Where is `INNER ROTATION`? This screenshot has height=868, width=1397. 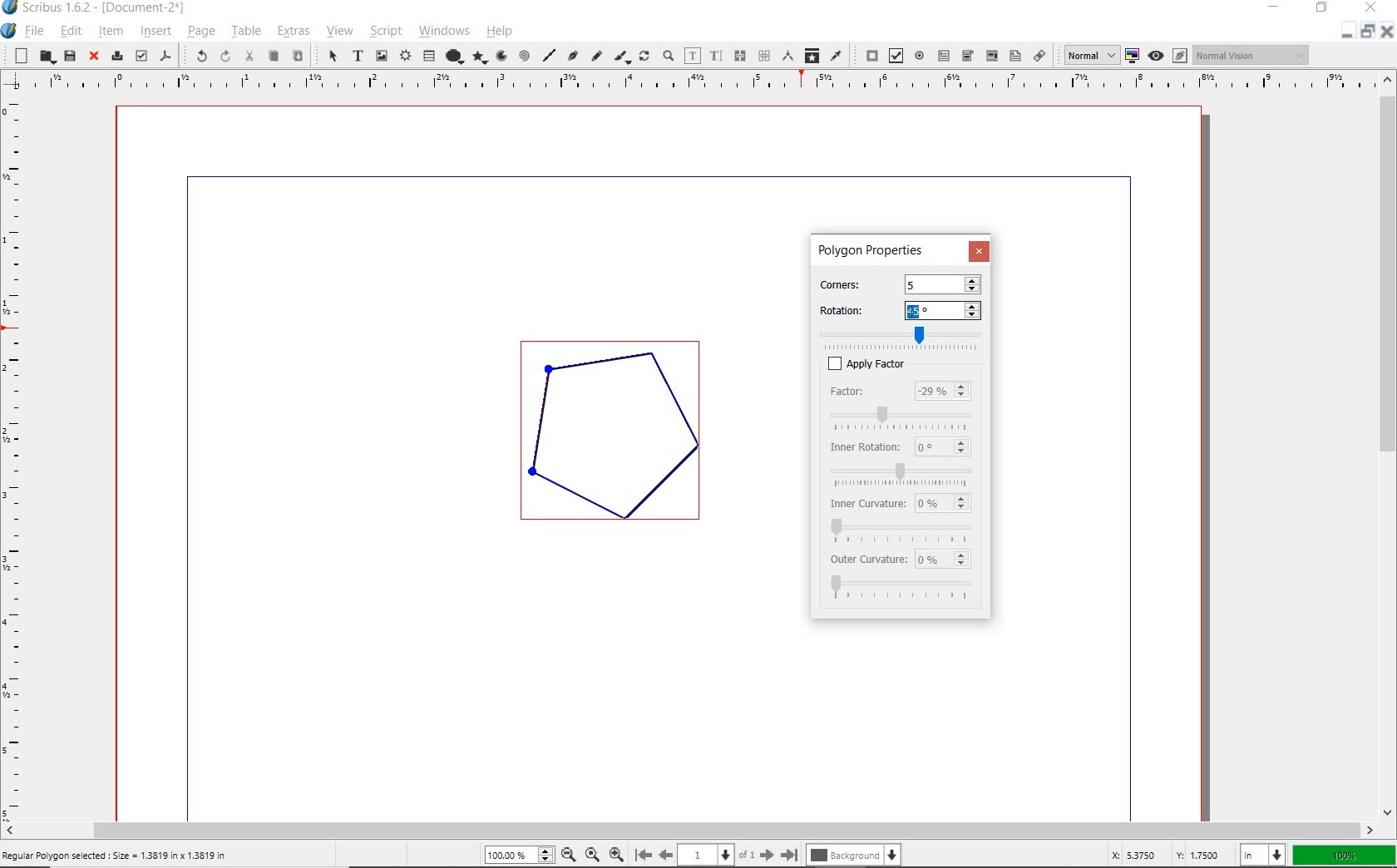 INNER ROTATION is located at coordinates (863, 446).